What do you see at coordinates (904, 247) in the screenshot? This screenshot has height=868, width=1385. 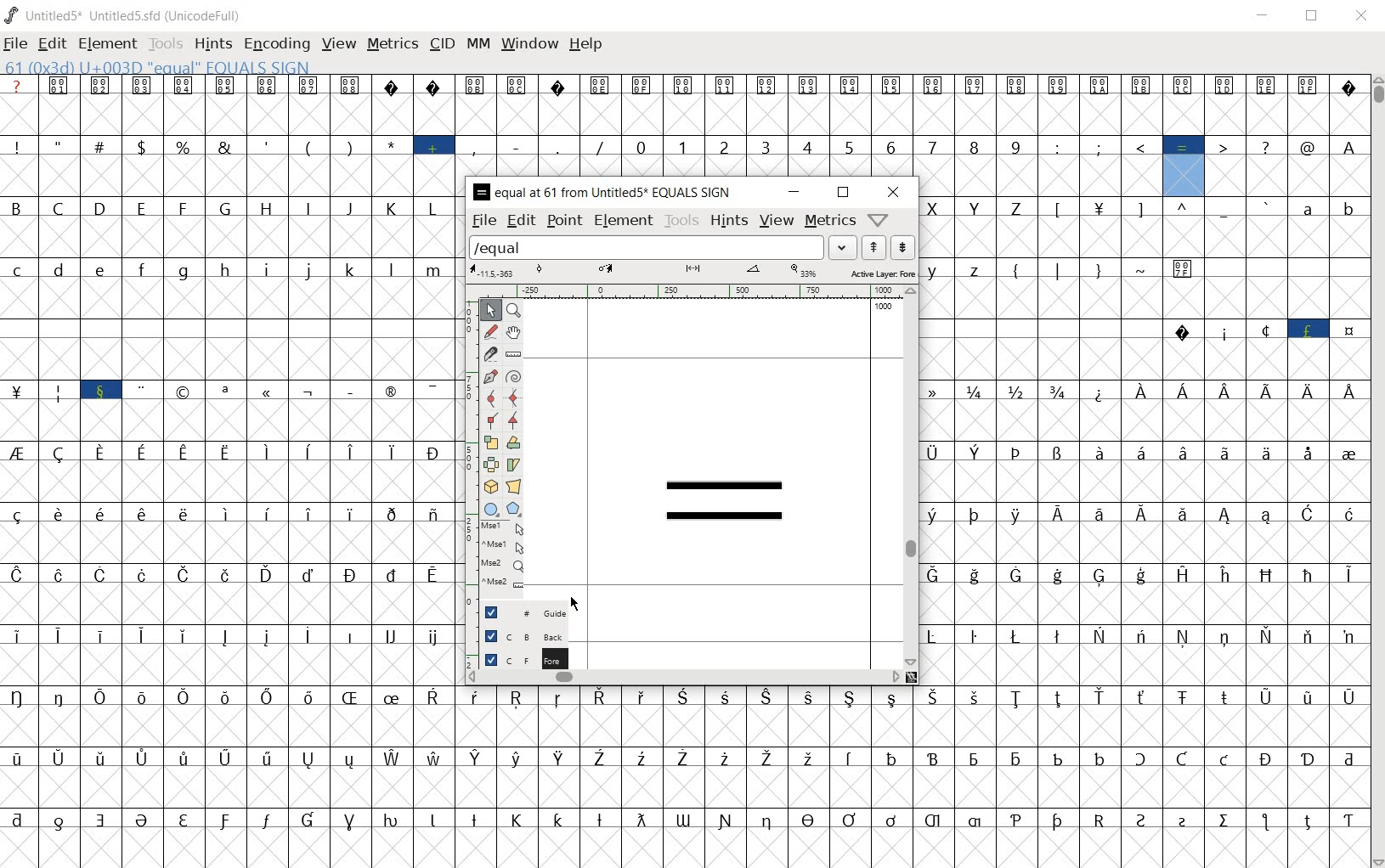 I see `show the previous word on the list` at bounding box center [904, 247].